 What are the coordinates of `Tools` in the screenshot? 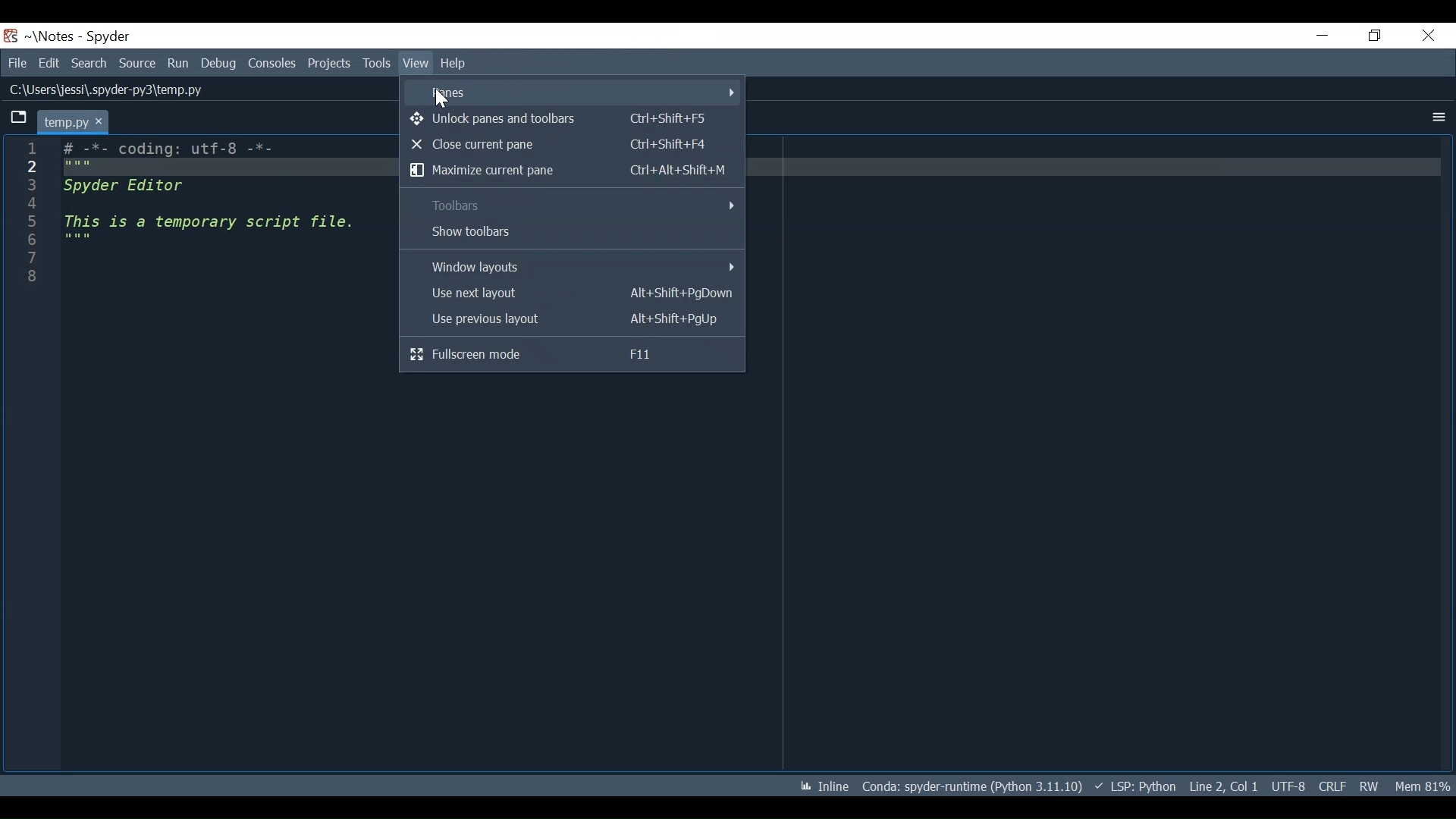 It's located at (331, 63).